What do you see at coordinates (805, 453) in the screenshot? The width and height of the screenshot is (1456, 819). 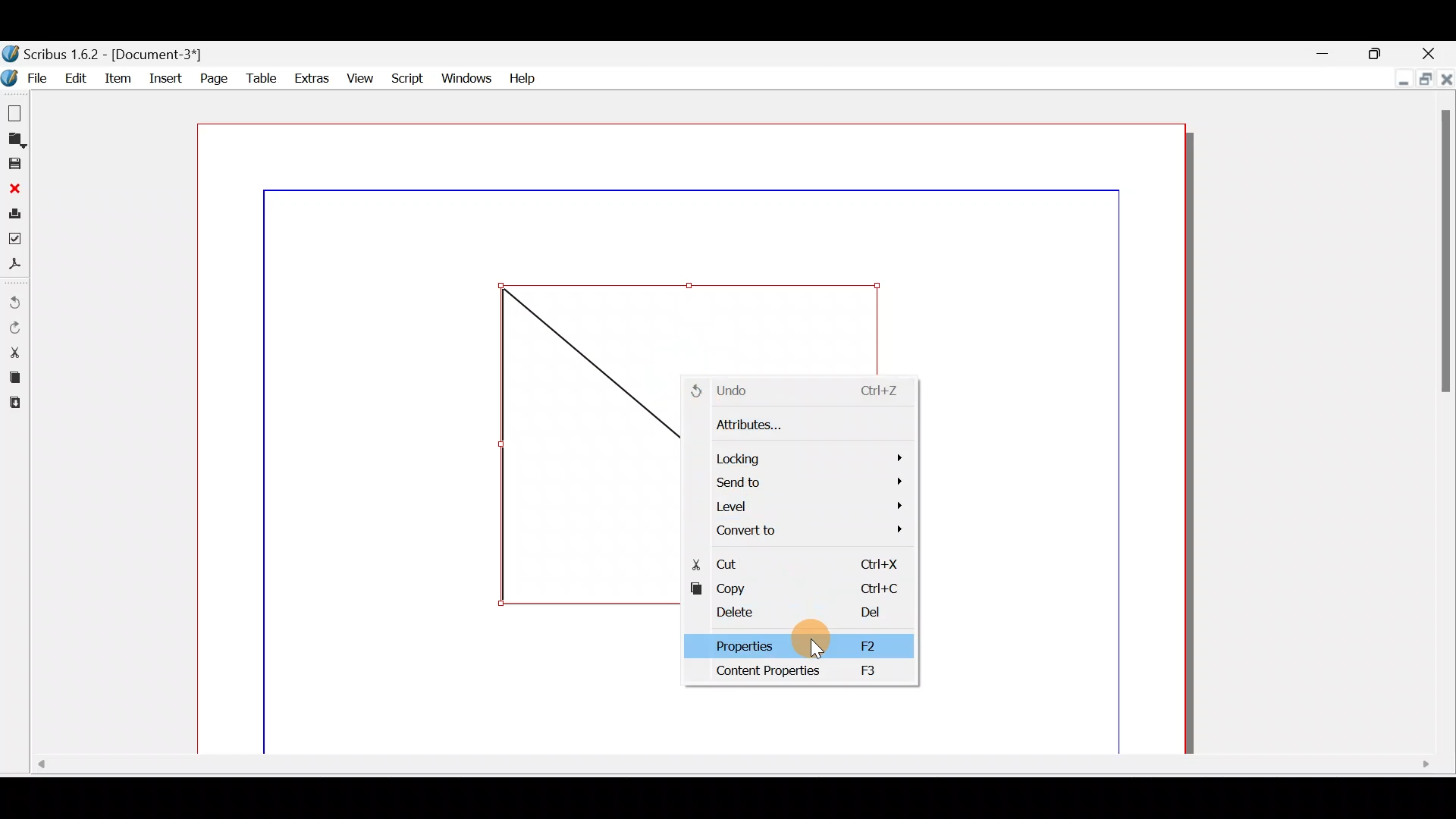 I see `Locking` at bounding box center [805, 453].